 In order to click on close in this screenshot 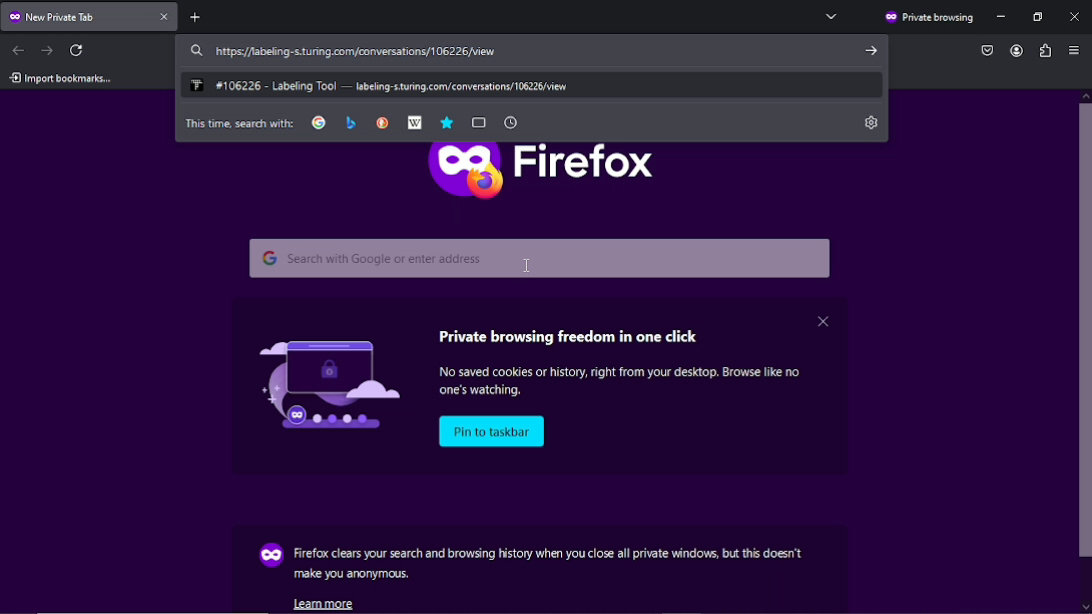, I will do `click(166, 18)`.